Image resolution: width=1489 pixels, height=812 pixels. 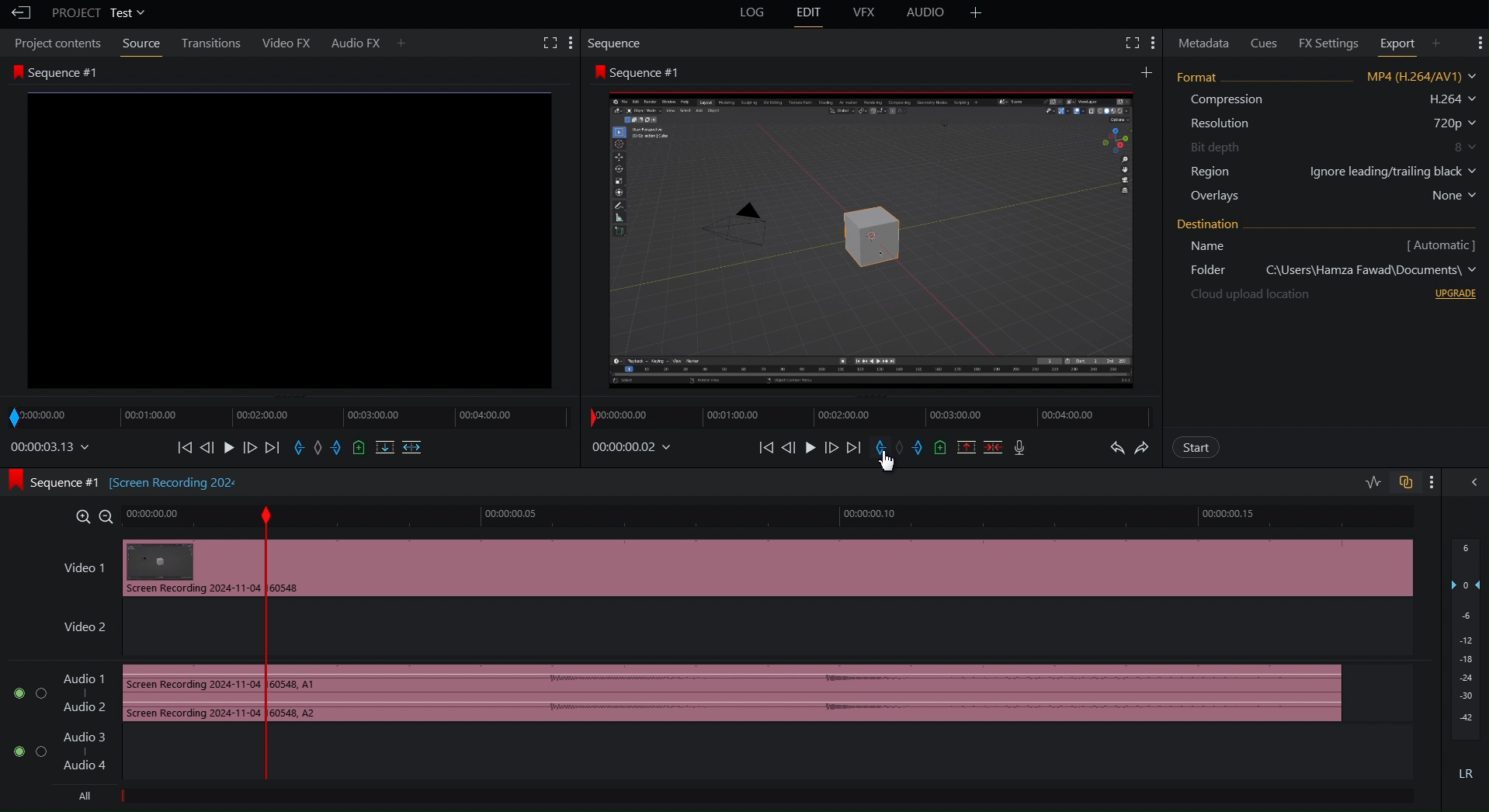 What do you see at coordinates (141, 44) in the screenshot?
I see `Source` at bounding box center [141, 44].